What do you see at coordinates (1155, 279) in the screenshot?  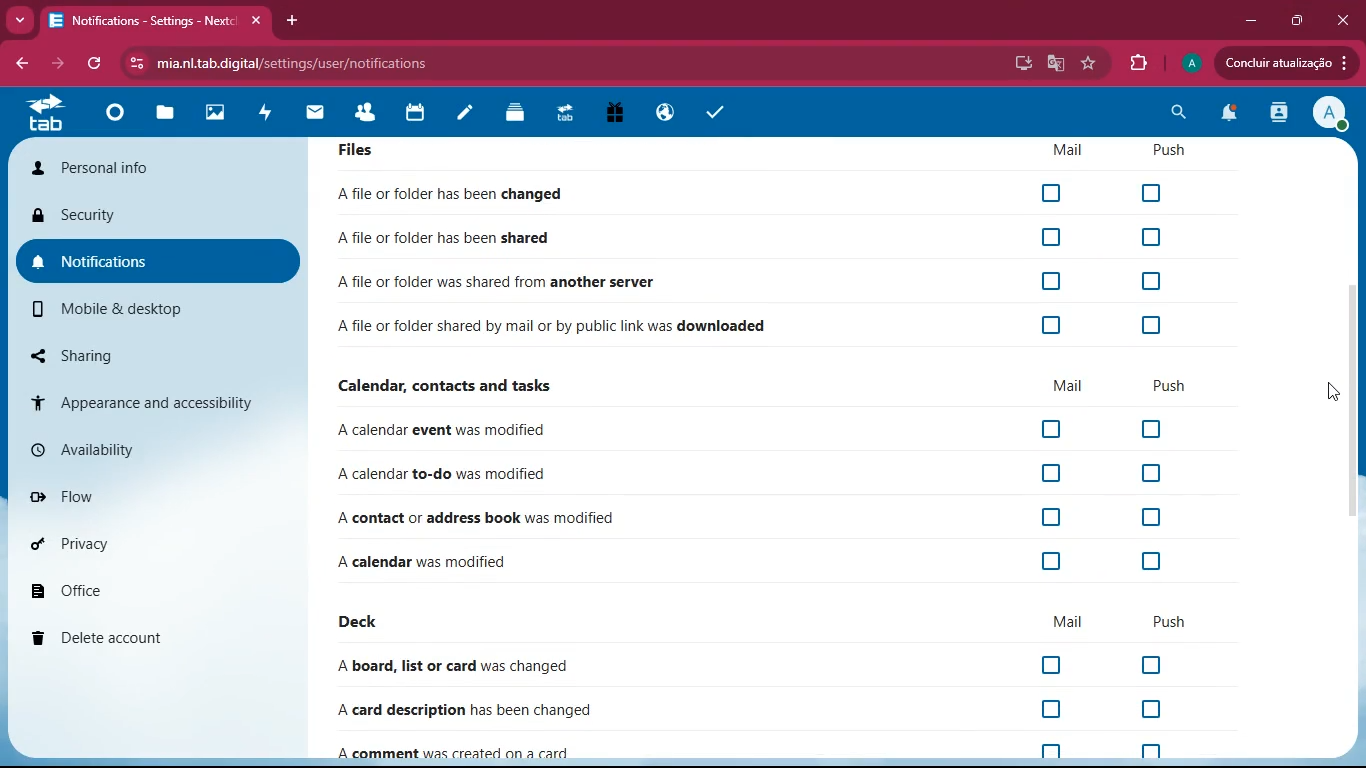 I see `Checkbox` at bounding box center [1155, 279].